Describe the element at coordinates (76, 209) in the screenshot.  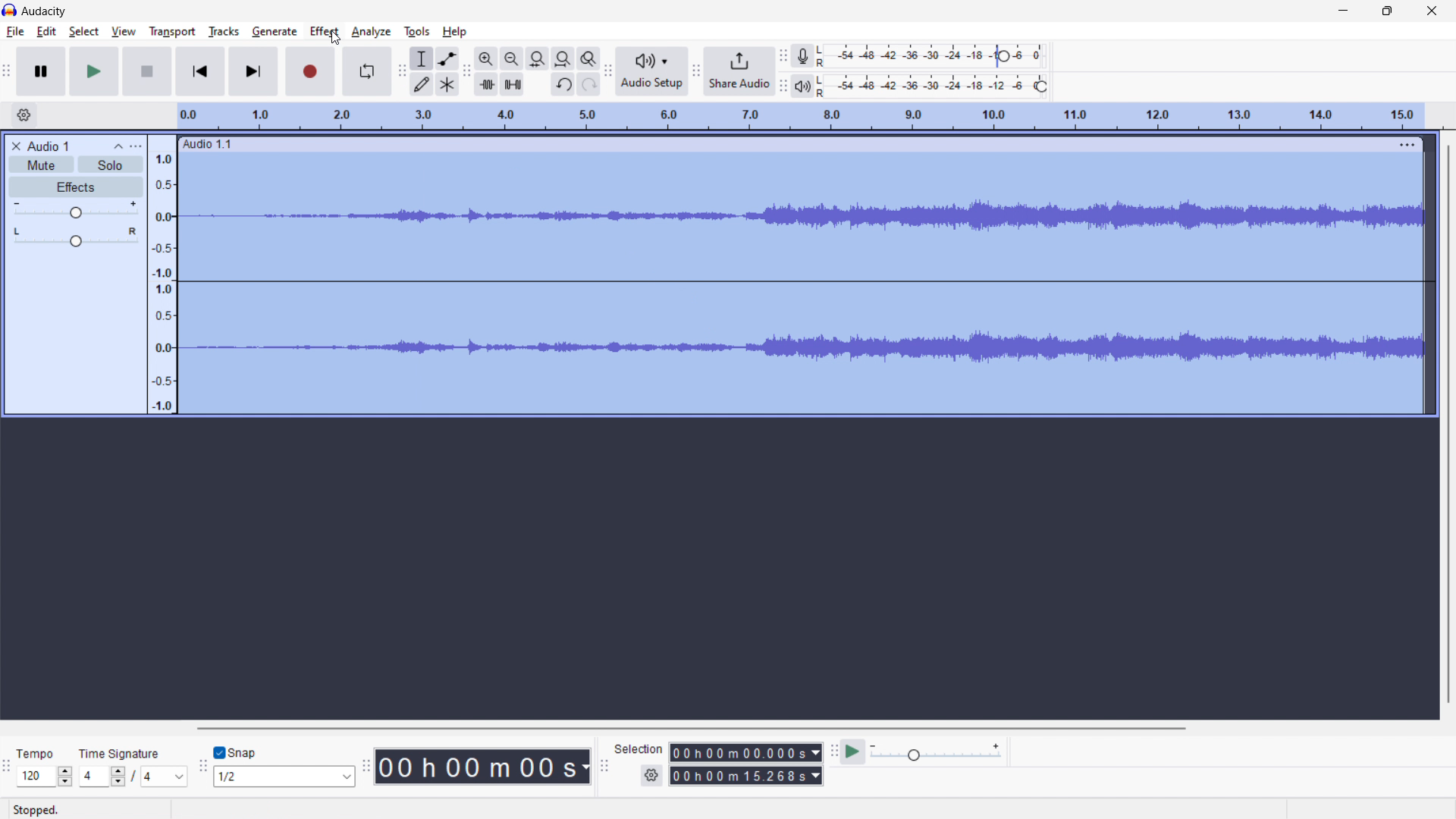
I see `volume` at that location.